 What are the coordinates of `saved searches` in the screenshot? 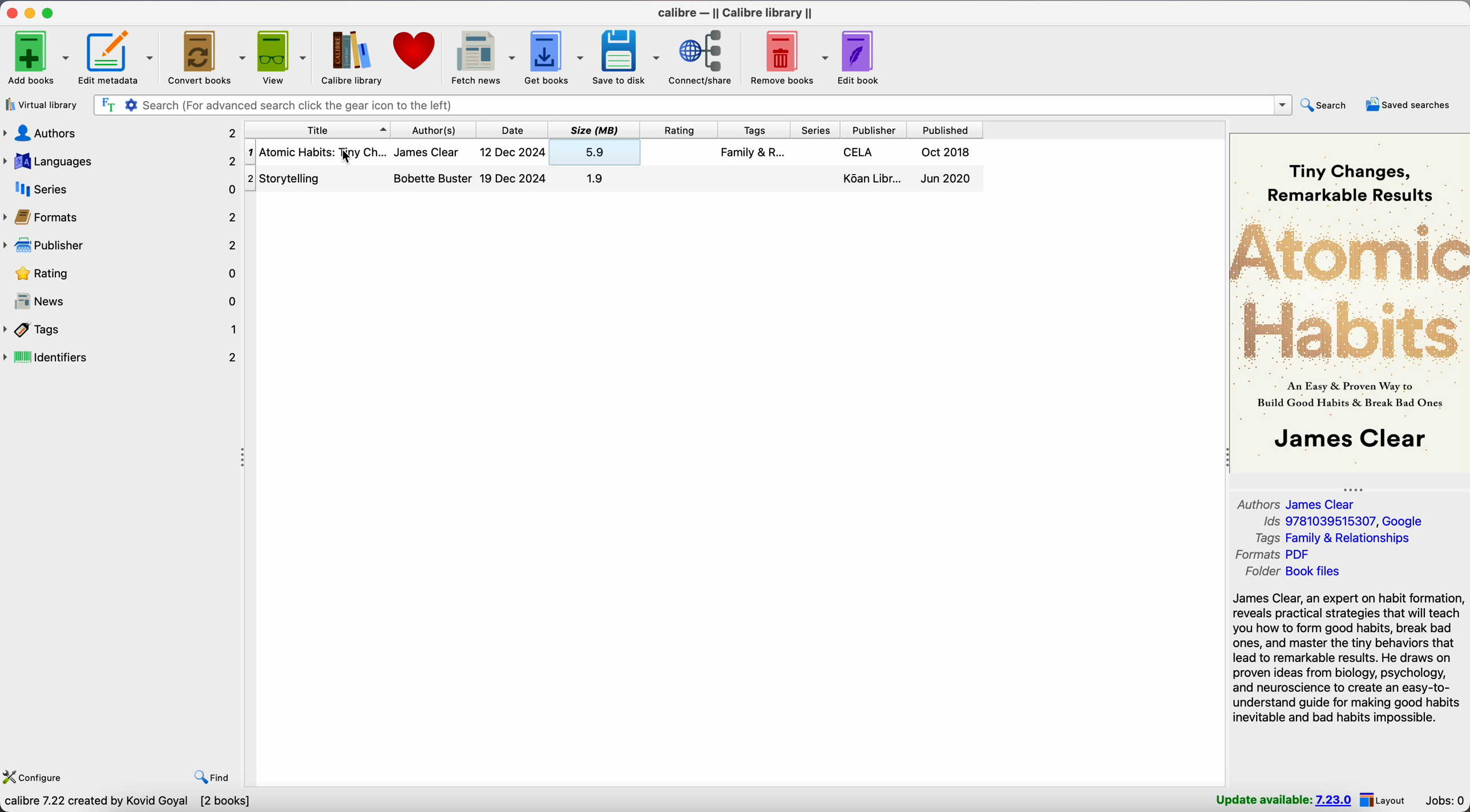 It's located at (1410, 105).